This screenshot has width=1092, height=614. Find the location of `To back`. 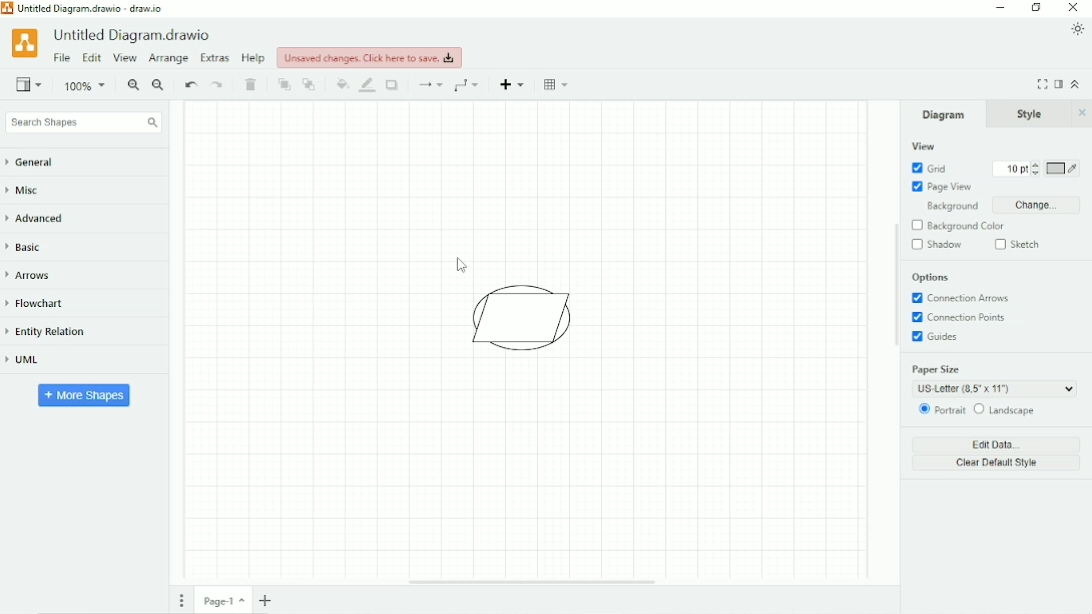

To back is located at coordinates (310, 84).